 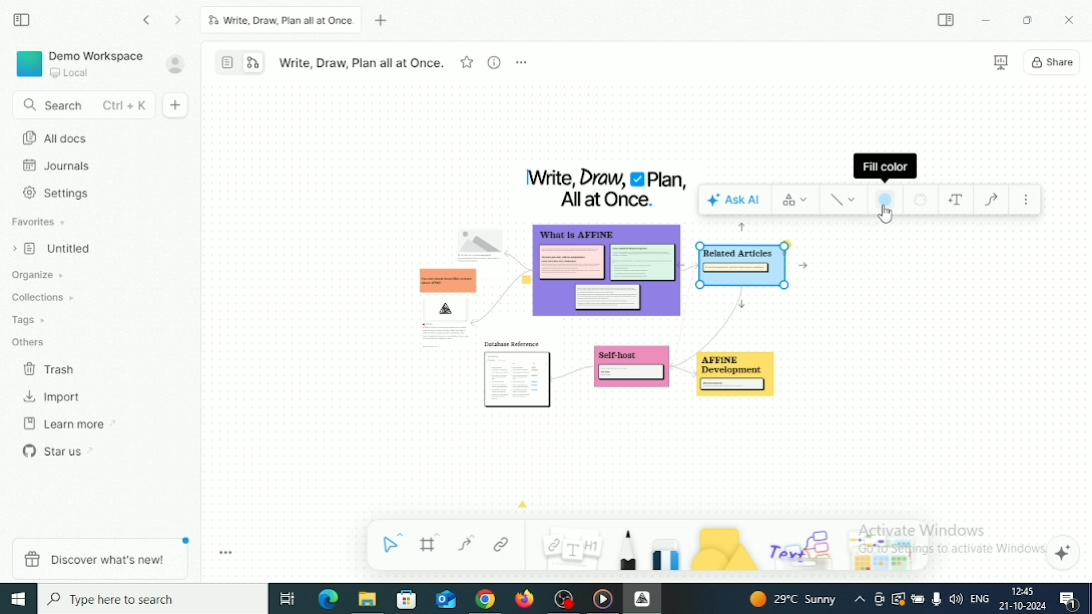 What do you see at coordinates (40, 275) in the screenshot?
I see `Organize` at bounding box center [40, 275].